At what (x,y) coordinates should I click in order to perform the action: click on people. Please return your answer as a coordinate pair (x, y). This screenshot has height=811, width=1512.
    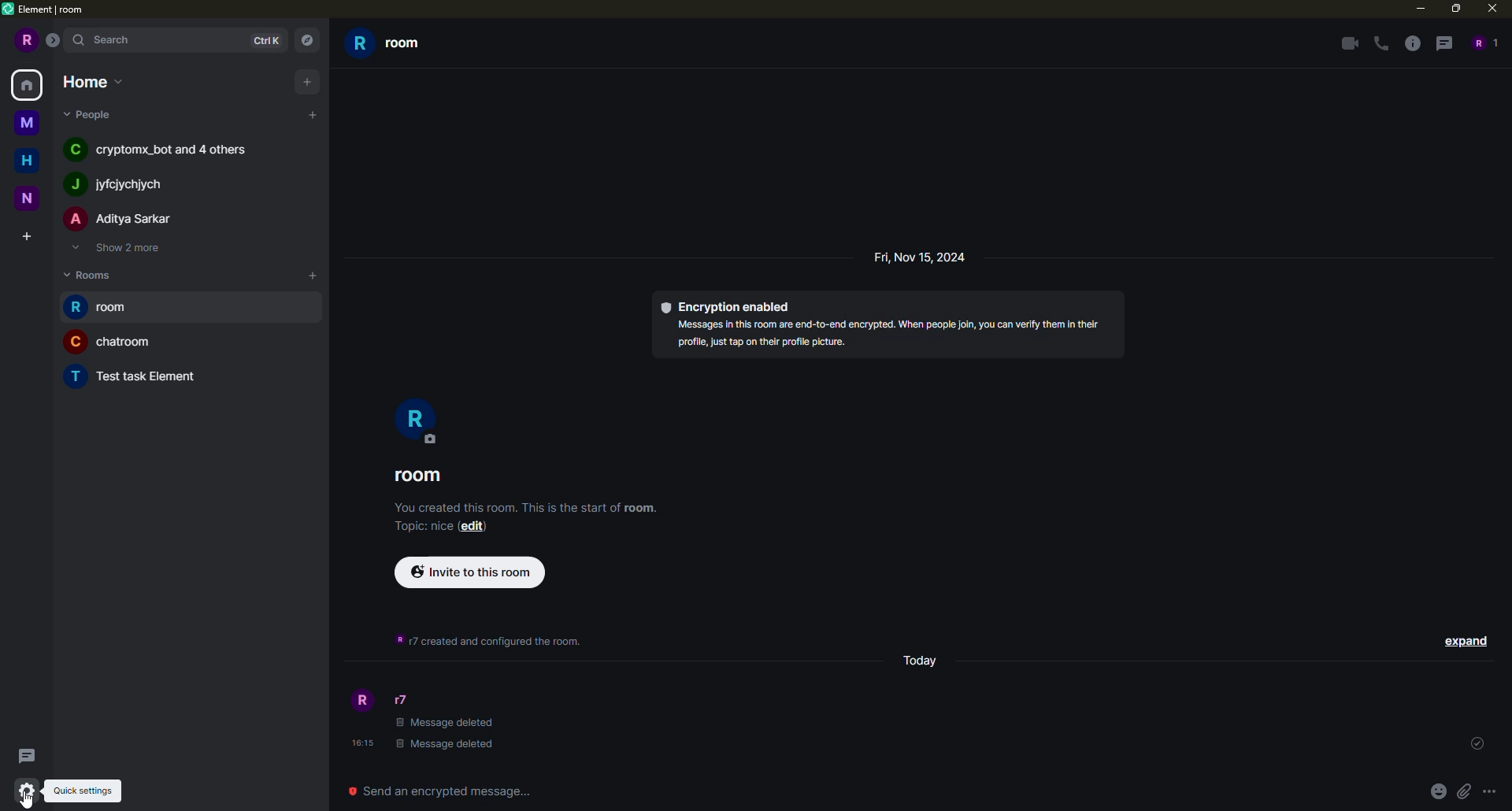
    Looking at the image, I should click on (91, 113).